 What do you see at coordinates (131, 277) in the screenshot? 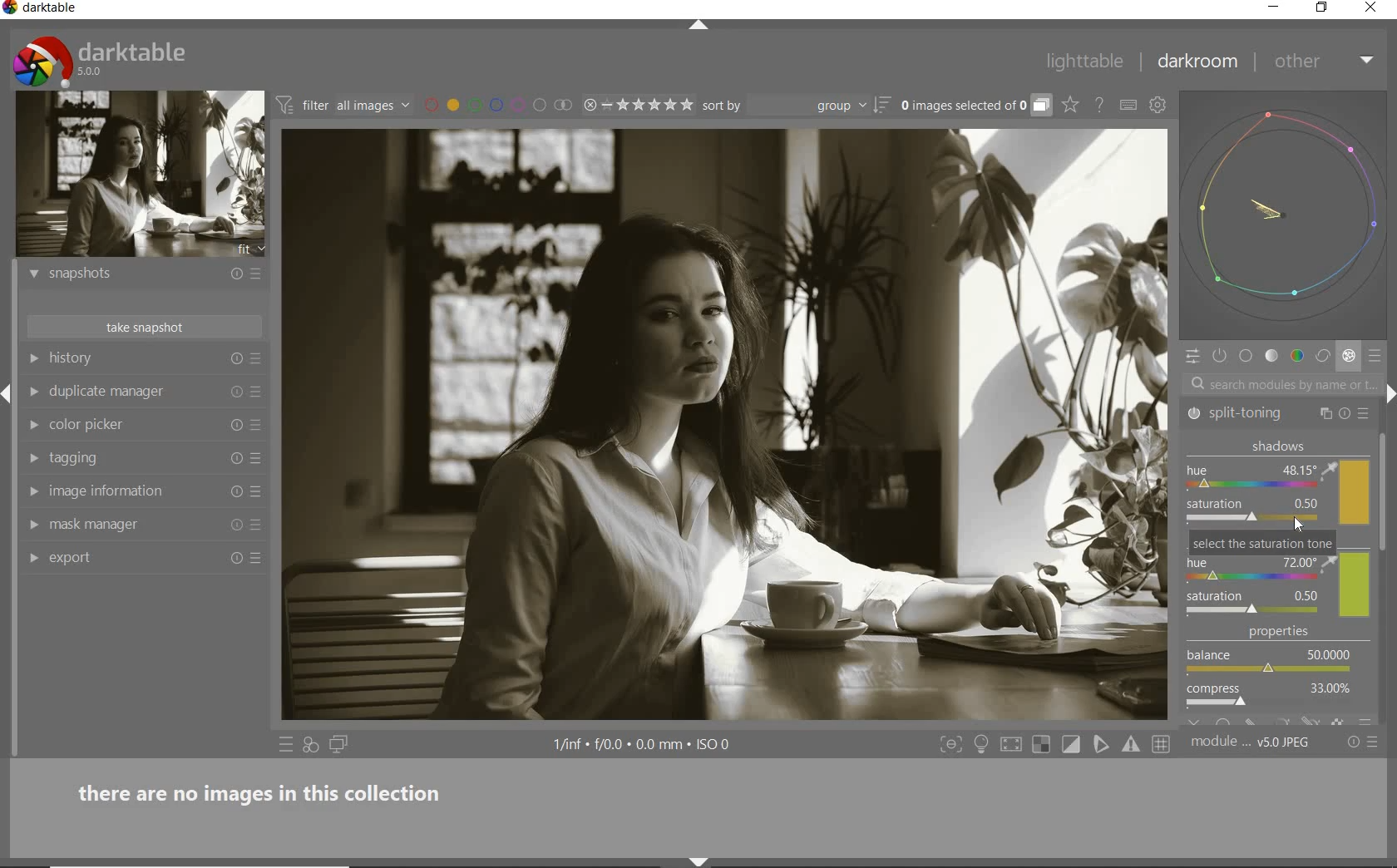
I see `snapshots` at bounding box center [131, 277].